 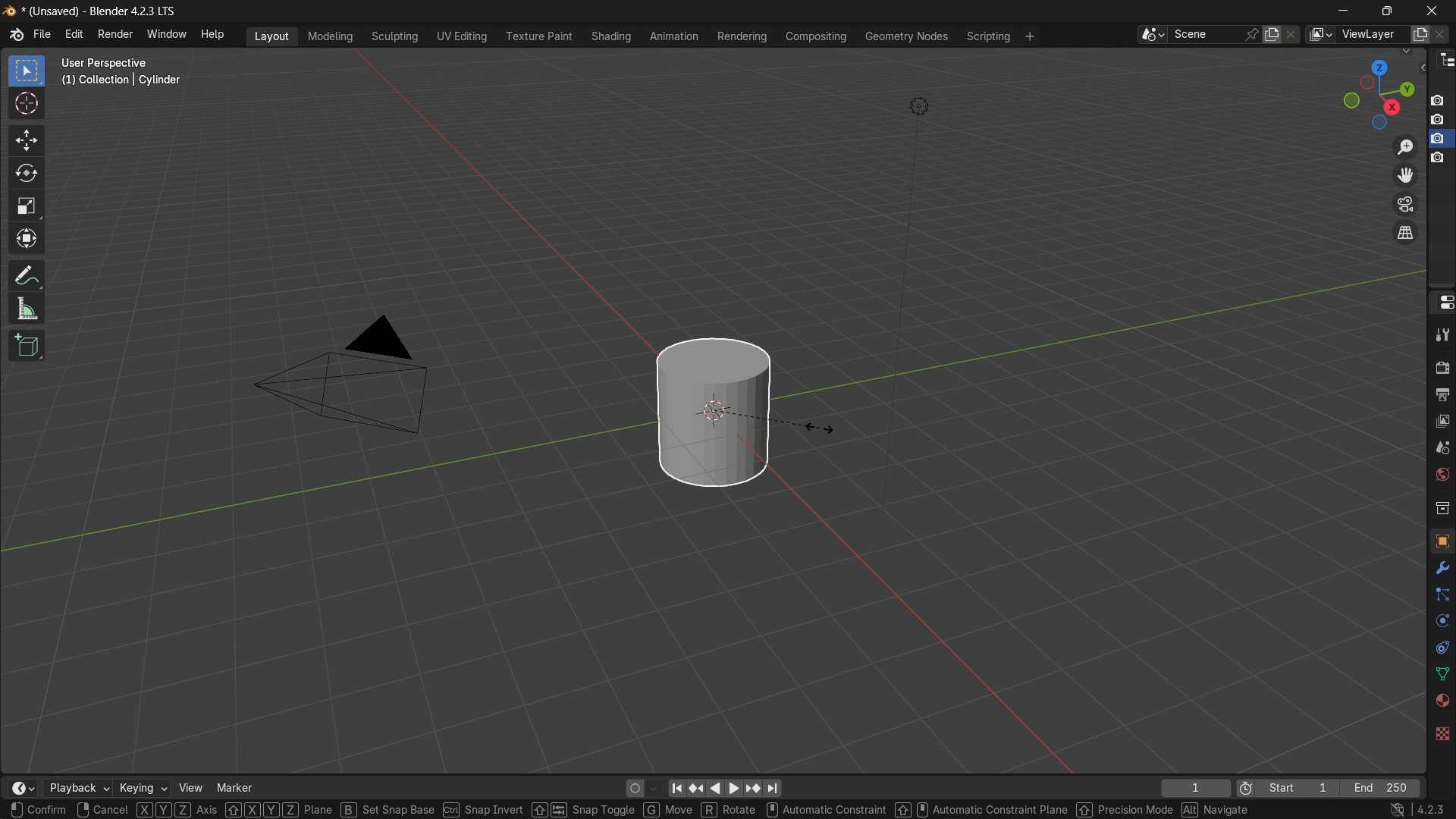 What do you see at coordinates (1441, 422) in the screenshot?
I see `view layer` at bounding box center [1441, 422].